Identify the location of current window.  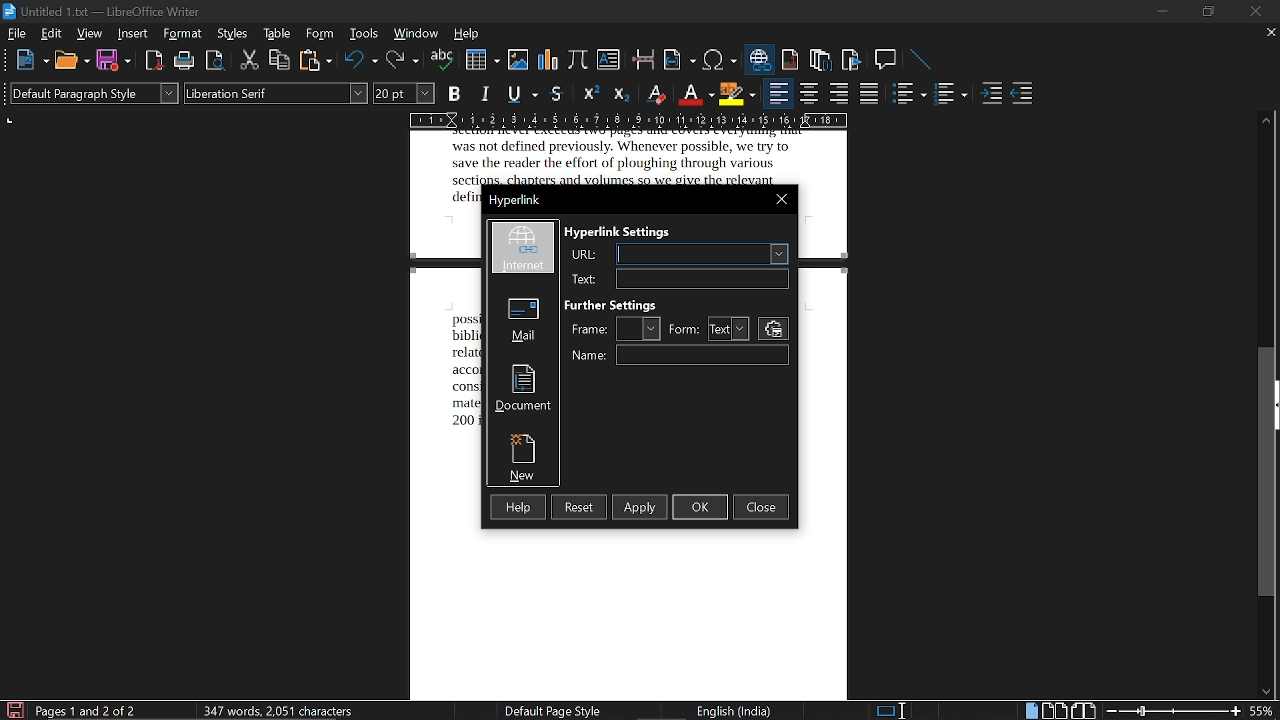
(102, 11).